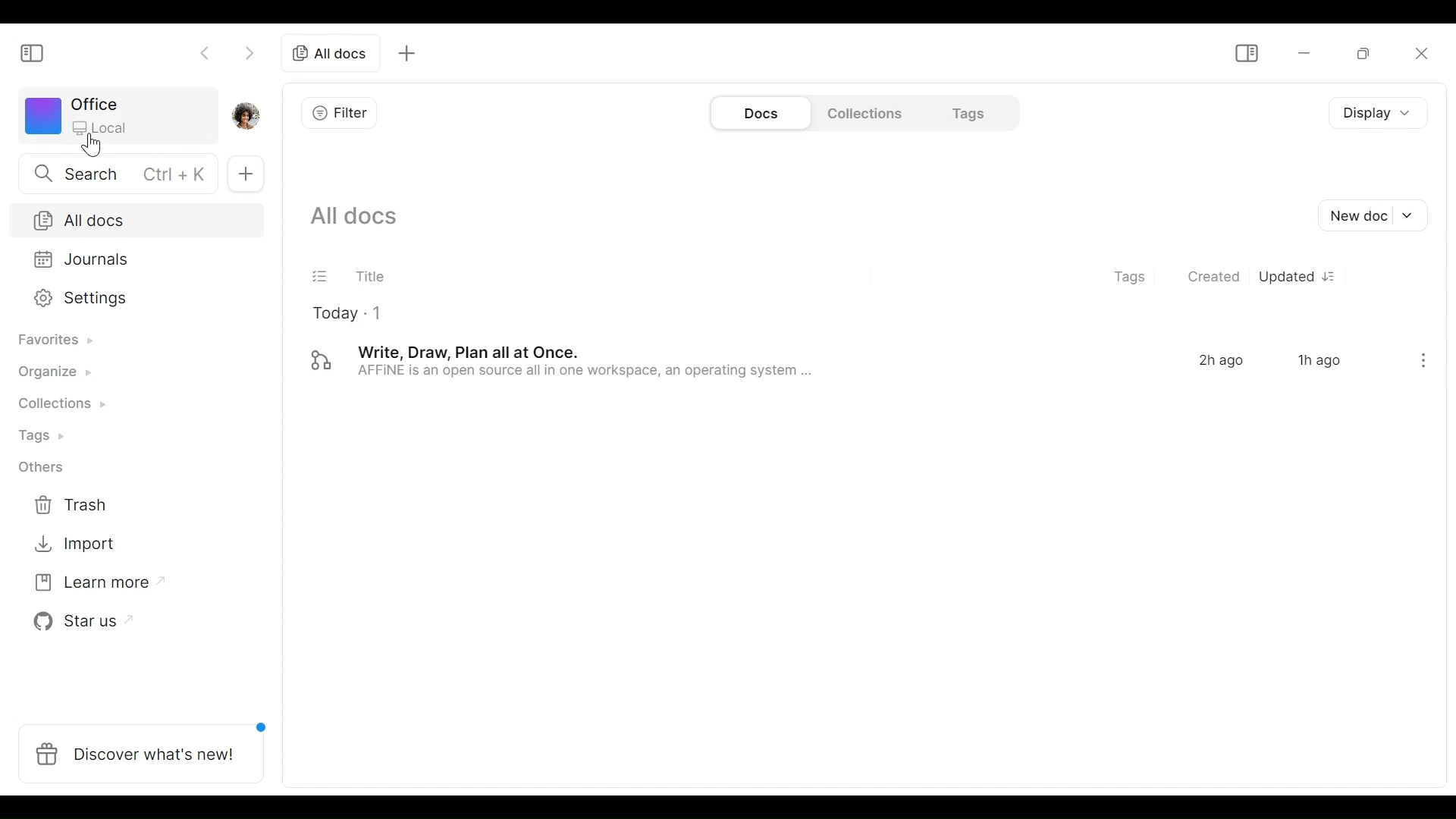  I want to click on Tags, so click(961, 114).